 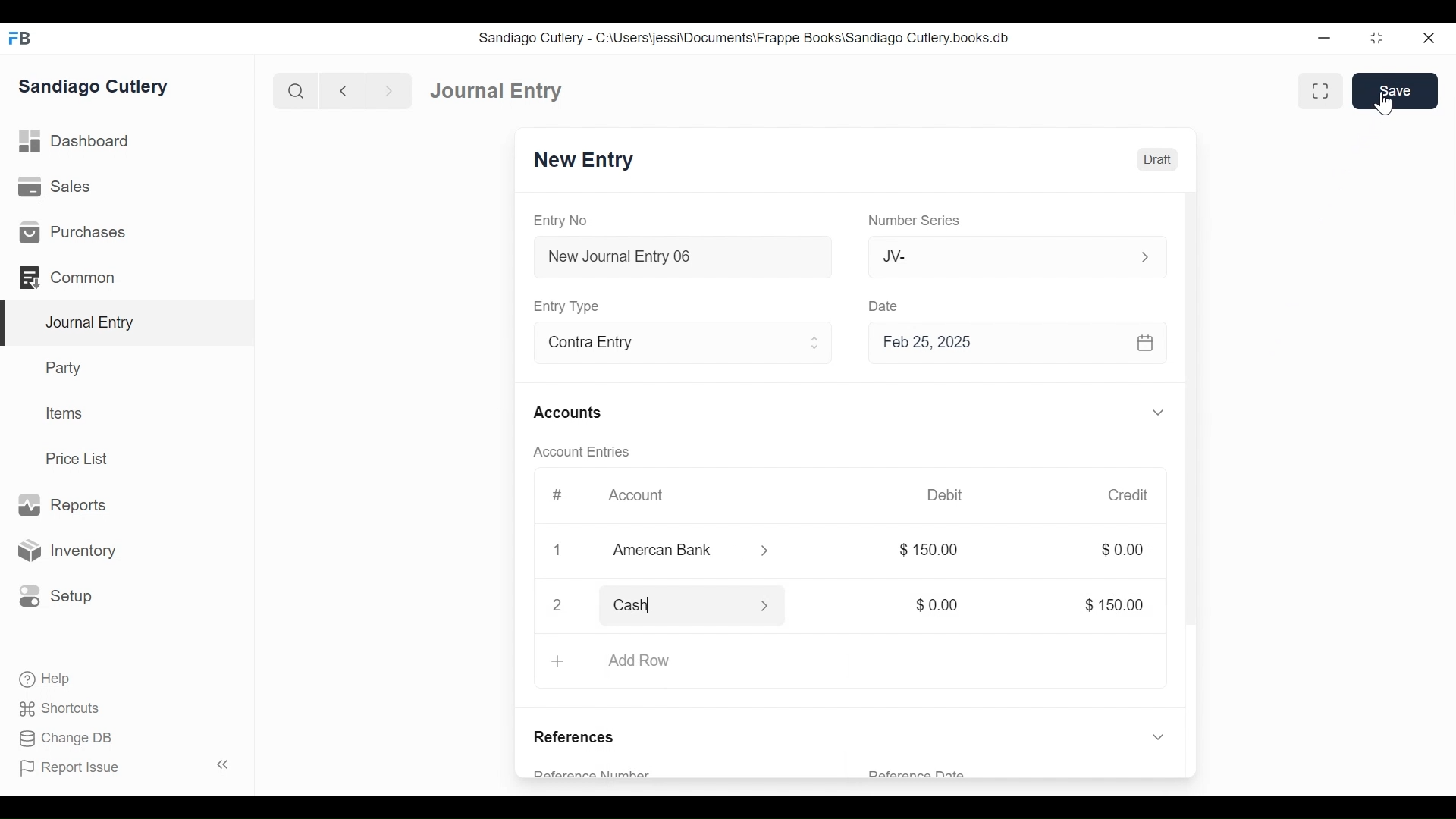 I want to click on Sandiago Cutlery - C:\Users\jessi\Documents\Frappe Books\Sandiago Cutlery.books.db, so click(x=745, y=38).